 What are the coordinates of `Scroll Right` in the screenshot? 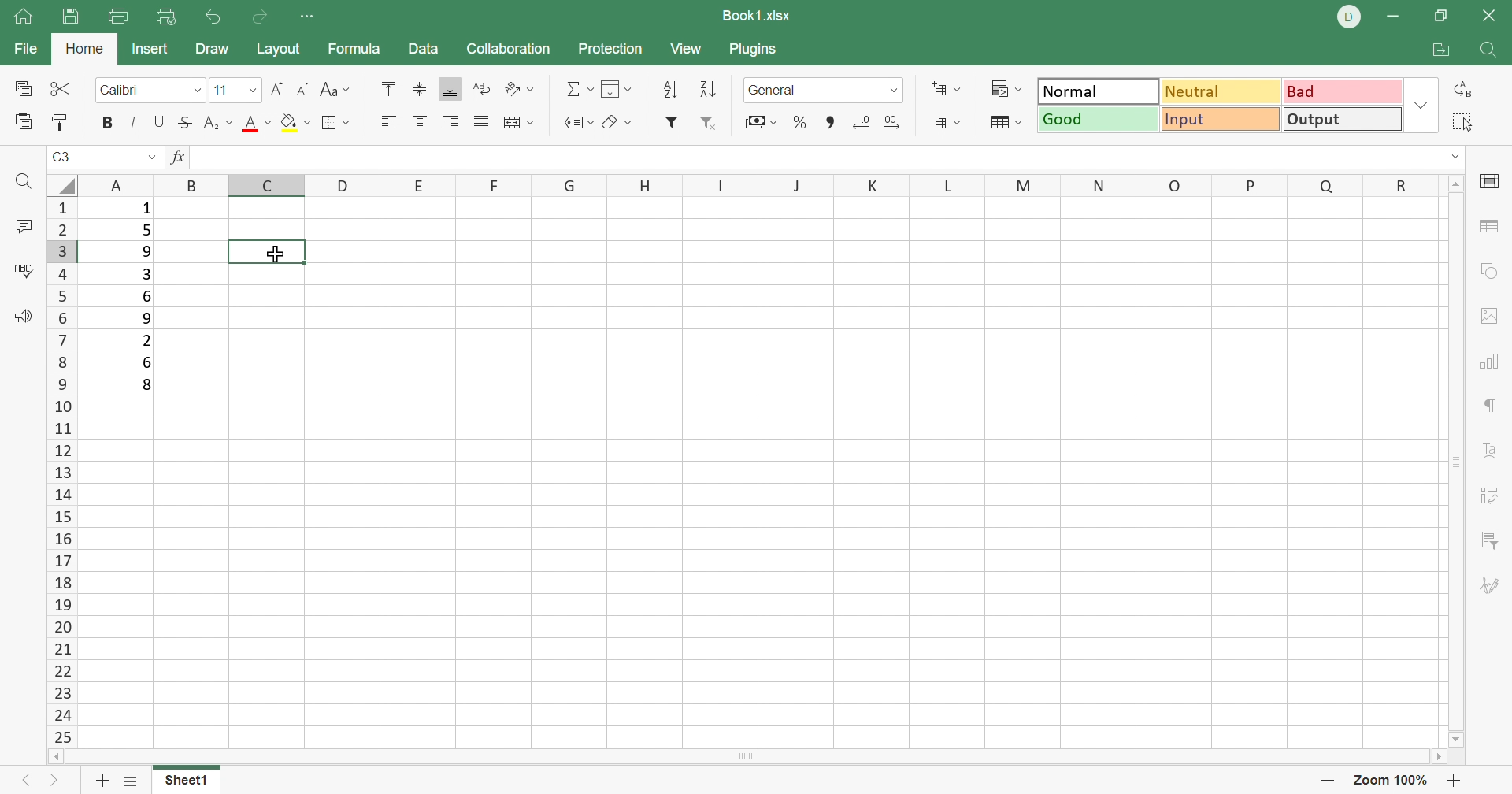 It's located at (1440, 758).